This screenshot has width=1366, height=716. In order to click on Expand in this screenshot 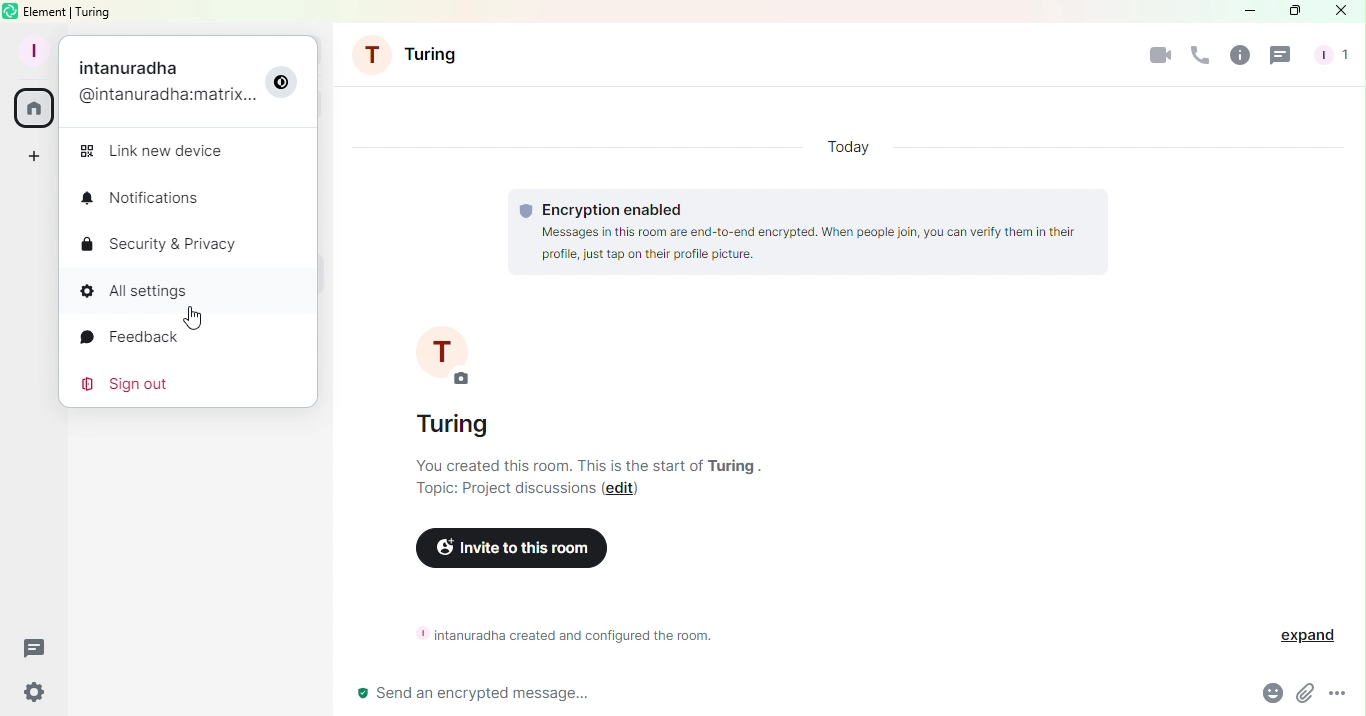, I will do `click(1308, 637)`.